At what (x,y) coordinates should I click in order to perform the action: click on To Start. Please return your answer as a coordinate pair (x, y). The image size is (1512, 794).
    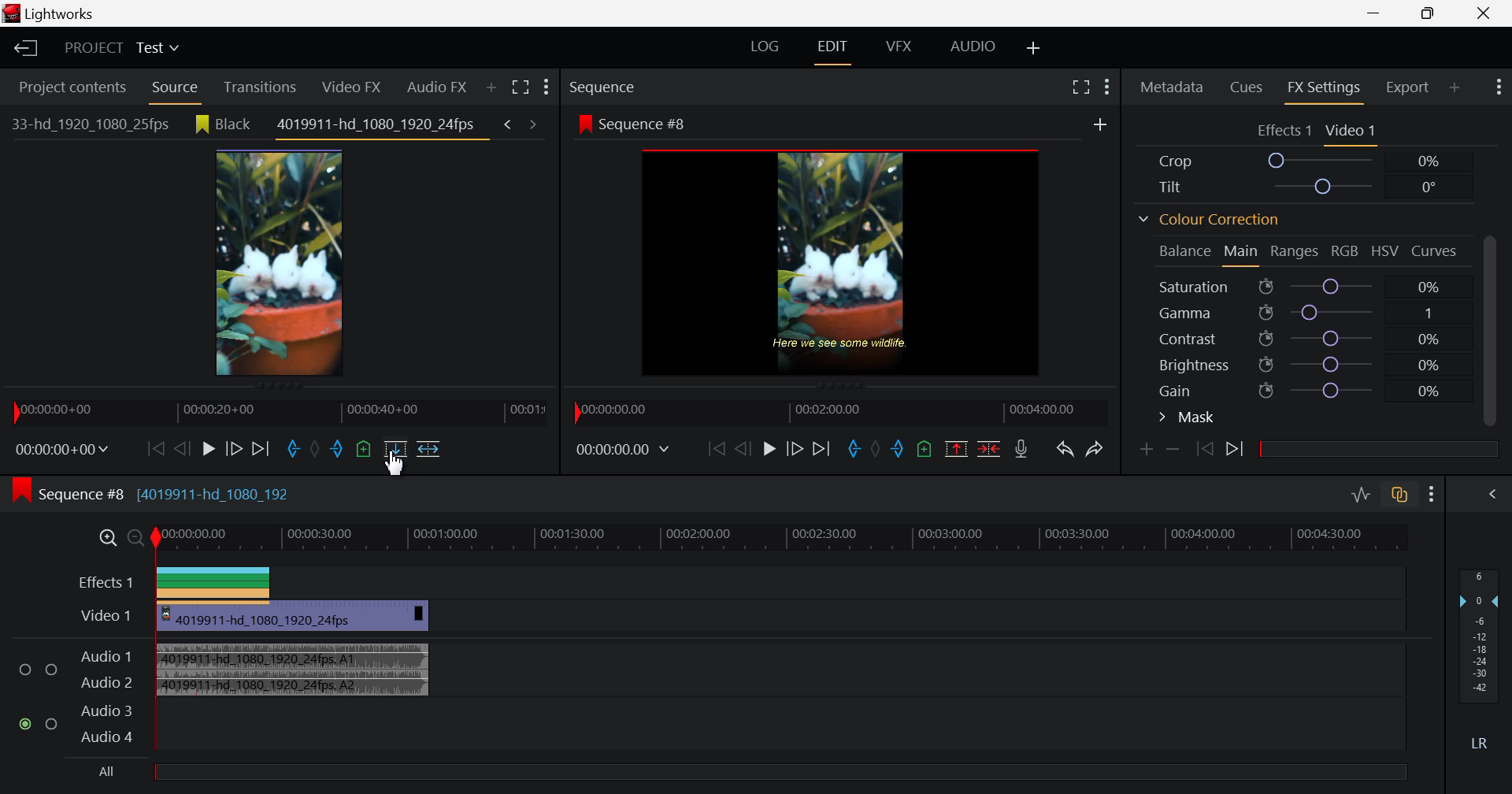
    Looking at the image, I should click on (153, 447).